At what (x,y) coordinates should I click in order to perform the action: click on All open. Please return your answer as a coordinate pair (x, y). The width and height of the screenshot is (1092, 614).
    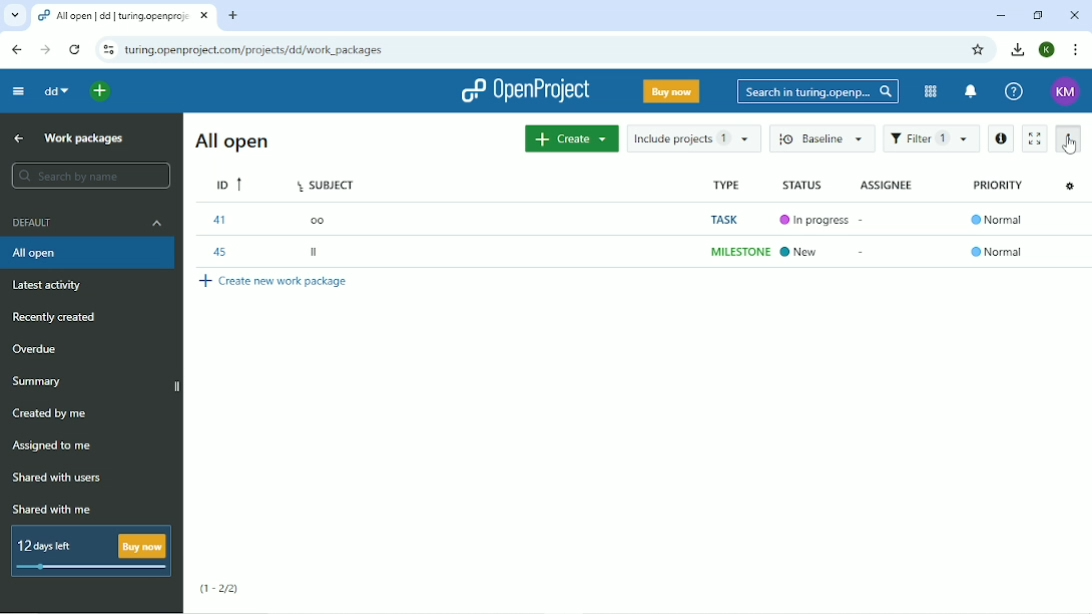
    Looking at the image, I should click on (235, 141).